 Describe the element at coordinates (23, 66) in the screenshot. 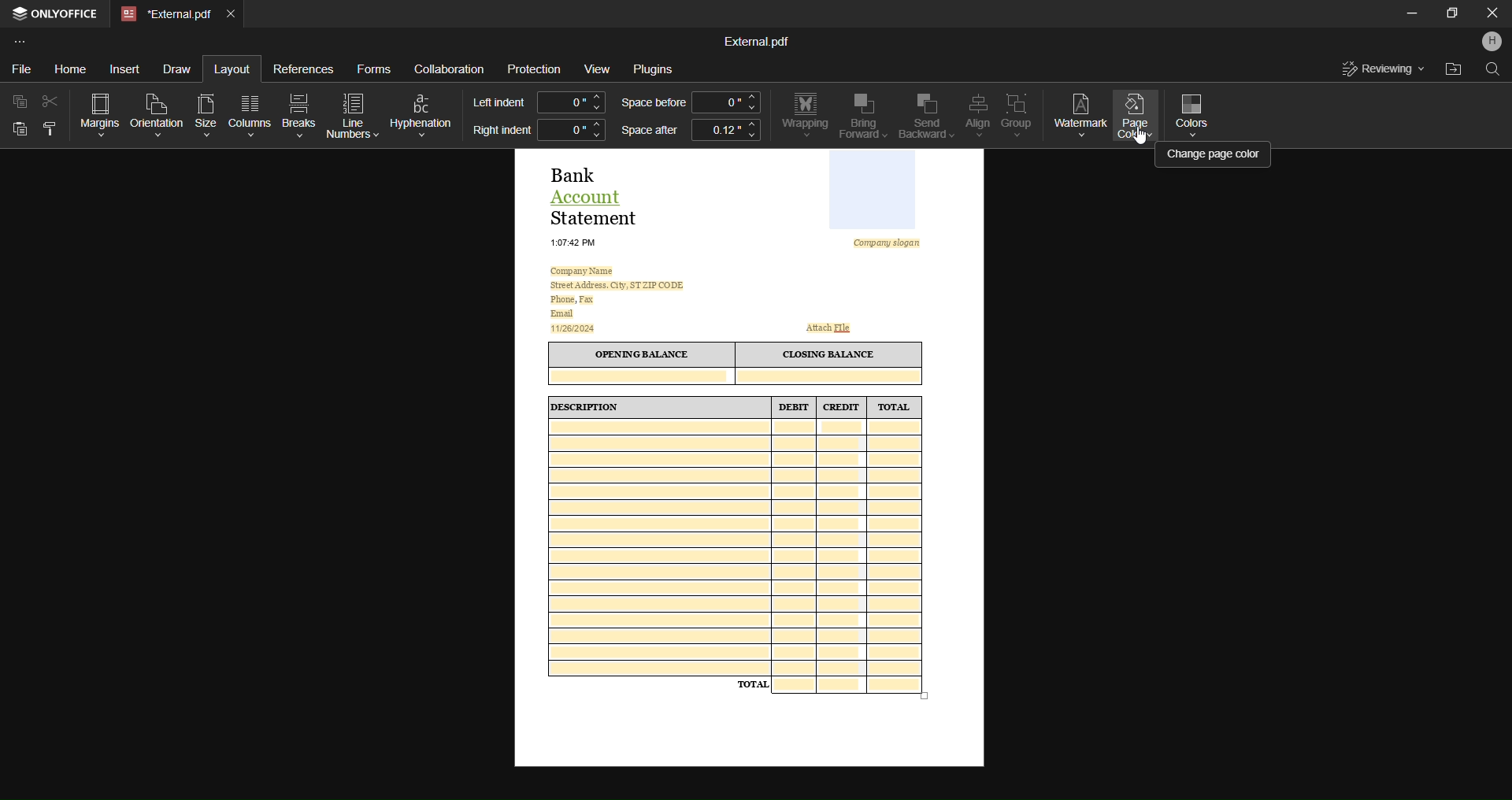

I see `File` at that location.